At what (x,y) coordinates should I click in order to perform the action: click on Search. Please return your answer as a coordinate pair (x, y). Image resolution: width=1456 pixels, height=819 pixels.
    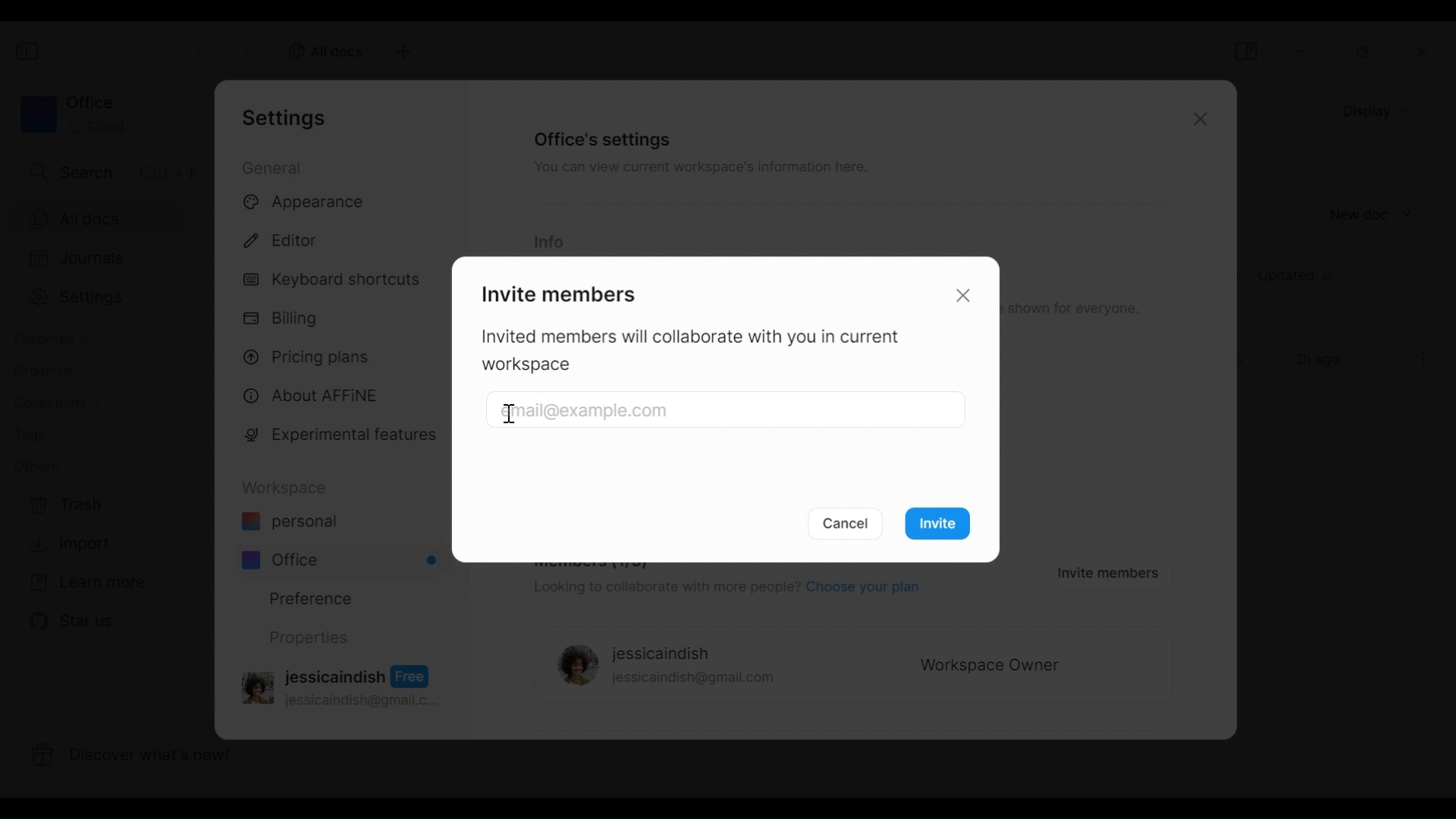
    Looking at the image, I should click on (111, 171).